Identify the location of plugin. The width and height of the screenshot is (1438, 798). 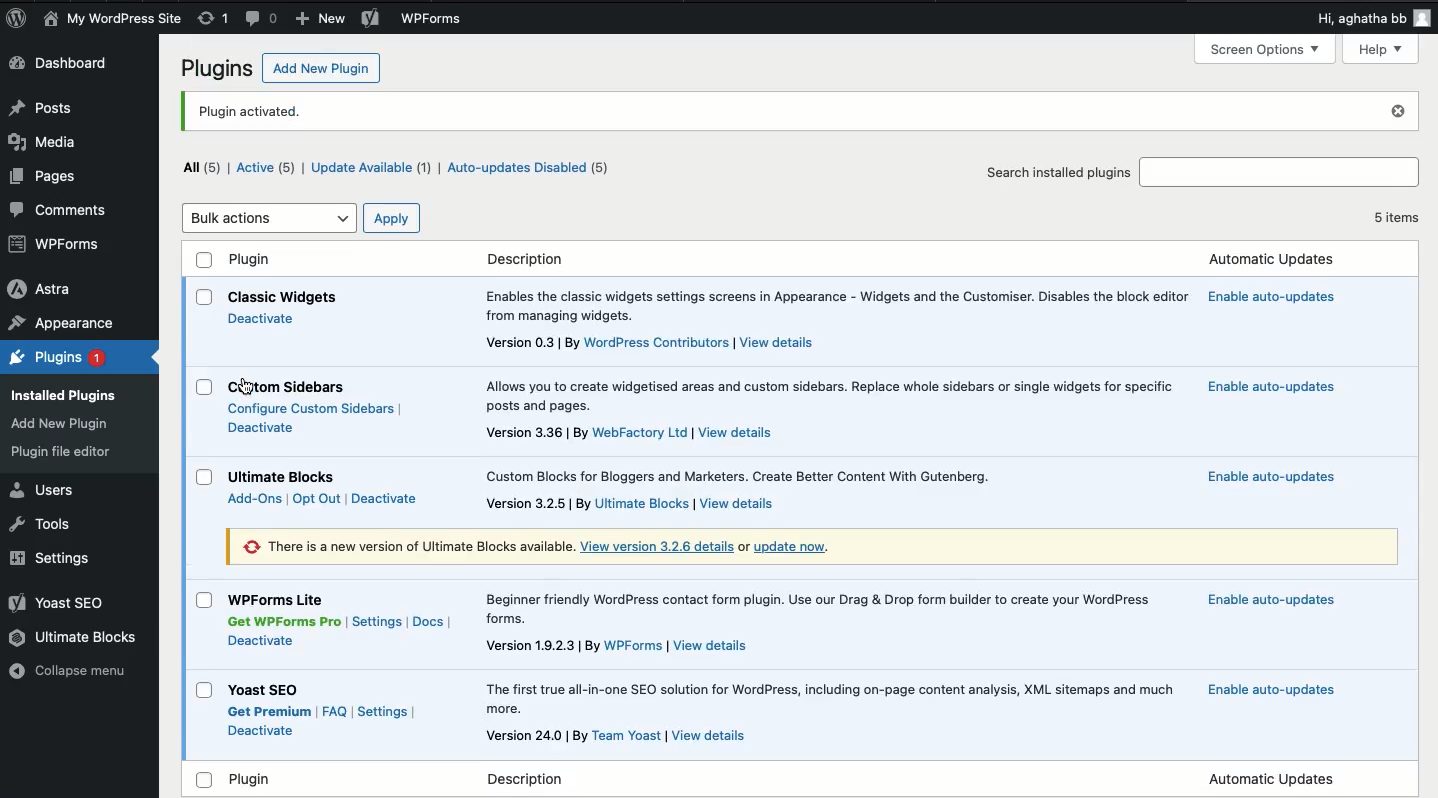
(780, 111).